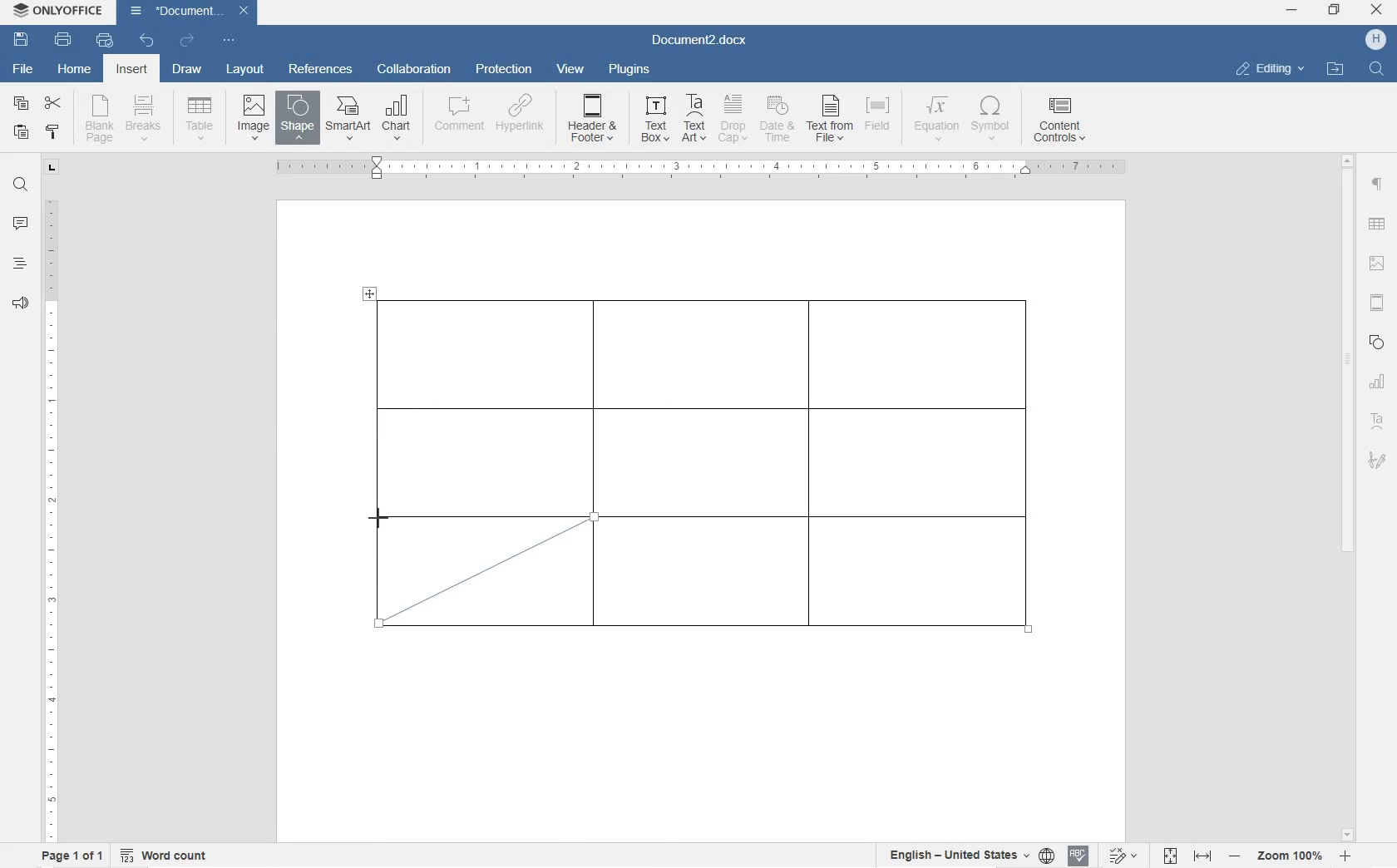 The height and width of the screenshot is (868, 1397). I want to click on textart, so click(1376, 418).